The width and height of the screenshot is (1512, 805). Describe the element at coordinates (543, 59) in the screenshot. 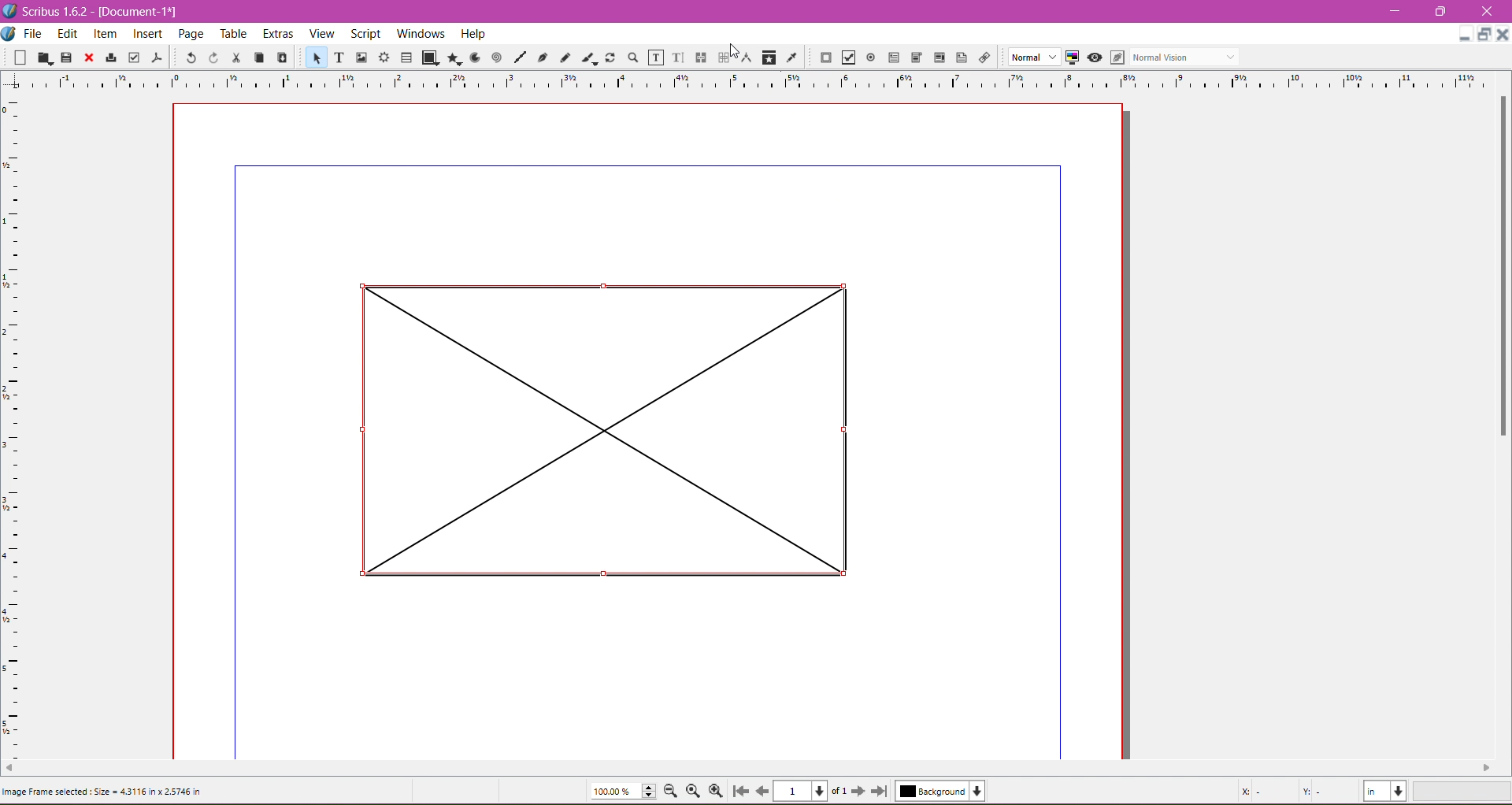

I see `Bezier Curve` at that location.